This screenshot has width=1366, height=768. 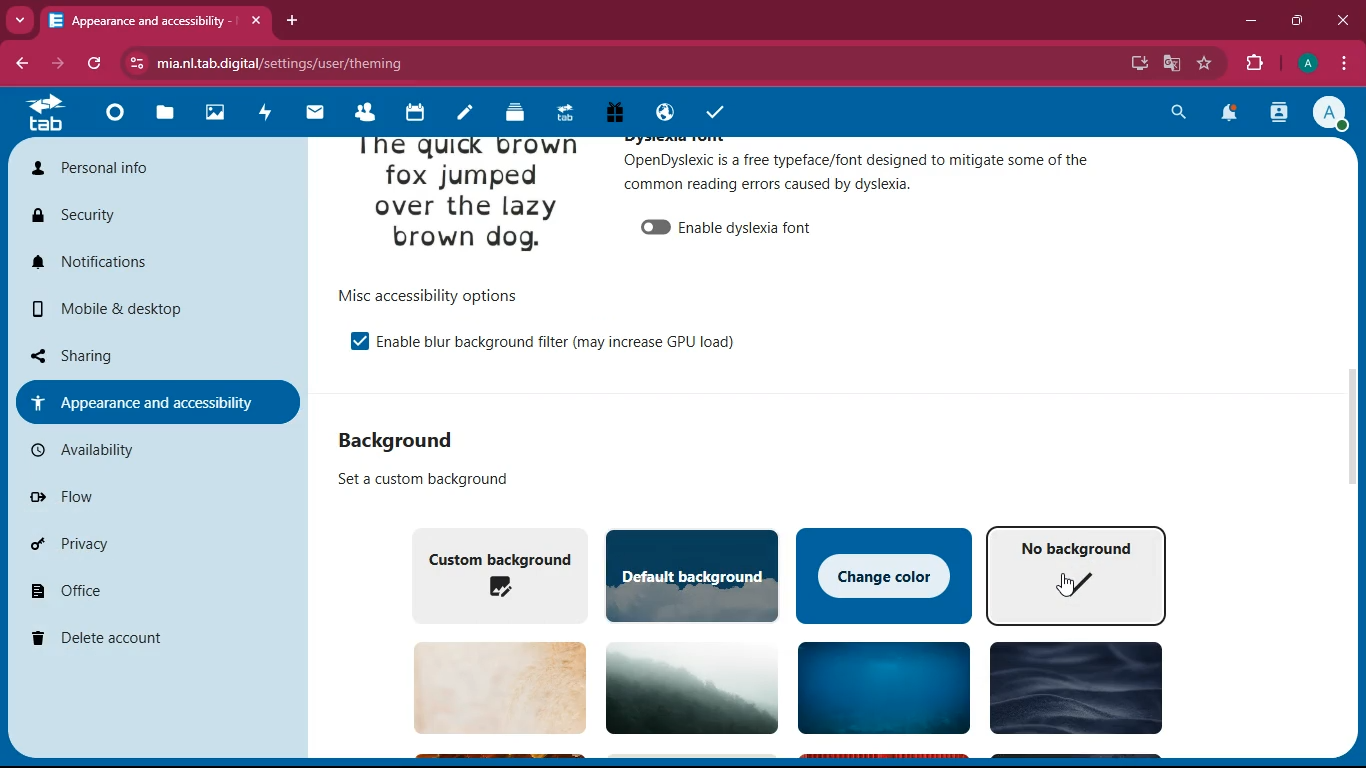 I want to click on profile, so click(x=1306, y=64).